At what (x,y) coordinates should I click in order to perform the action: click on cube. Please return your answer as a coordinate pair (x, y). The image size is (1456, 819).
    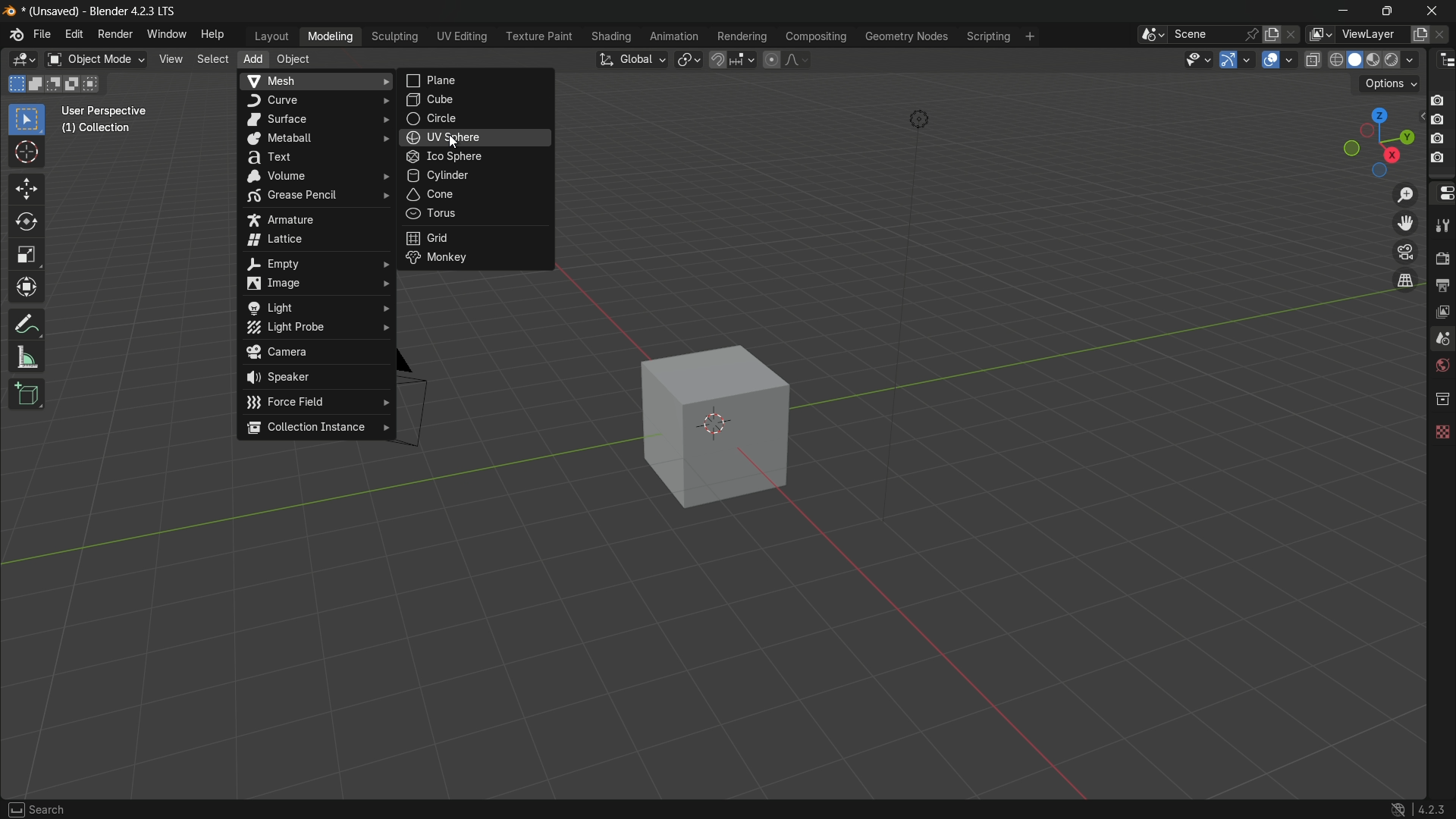
    Looking at the image, I should click on (477, 101).